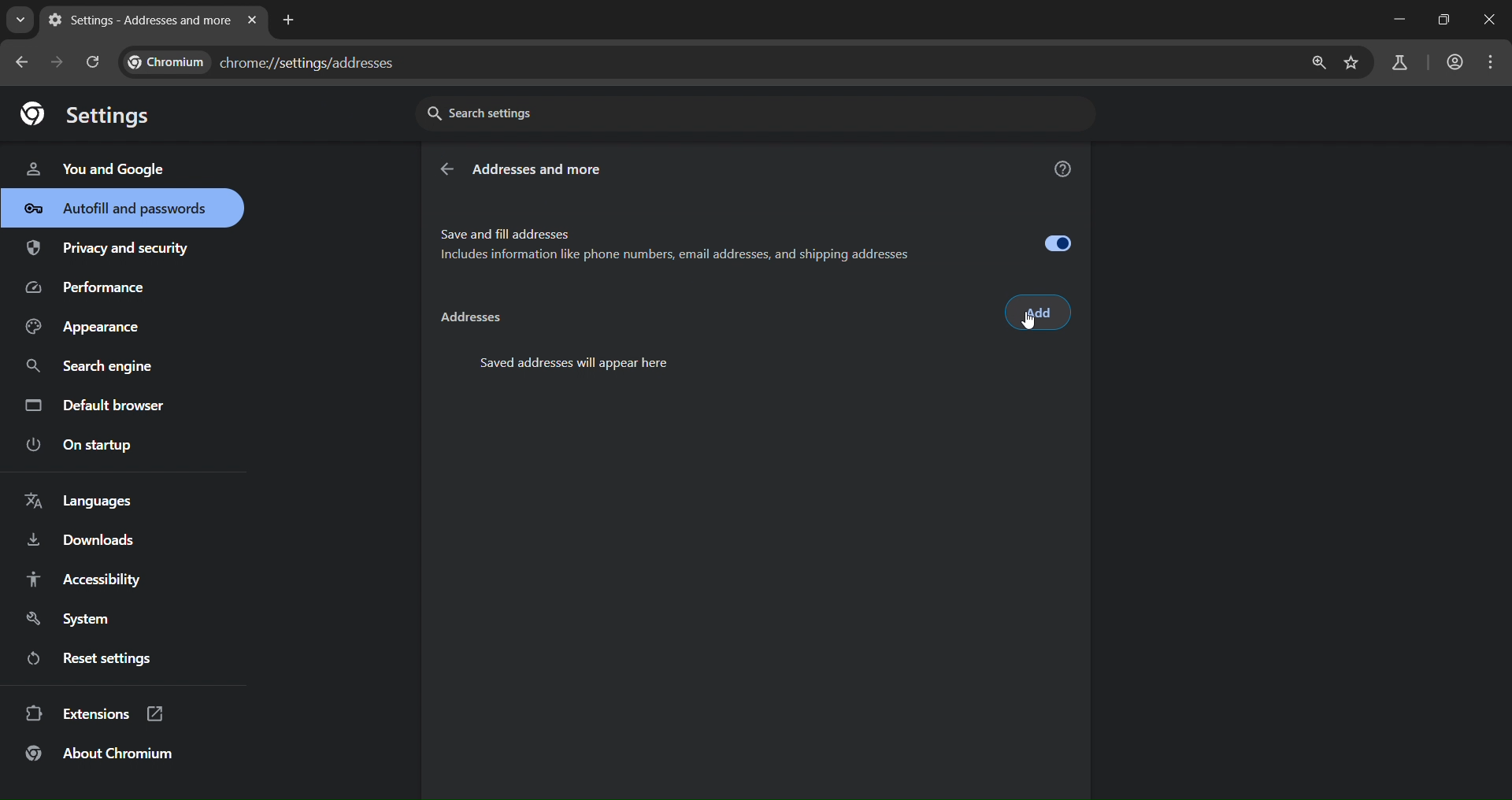 Image resolution: width=1512 pixels, height=800 pixels. Describe the element at coordinates (88, 328) in the screenshot. I see `appearance` at that location.